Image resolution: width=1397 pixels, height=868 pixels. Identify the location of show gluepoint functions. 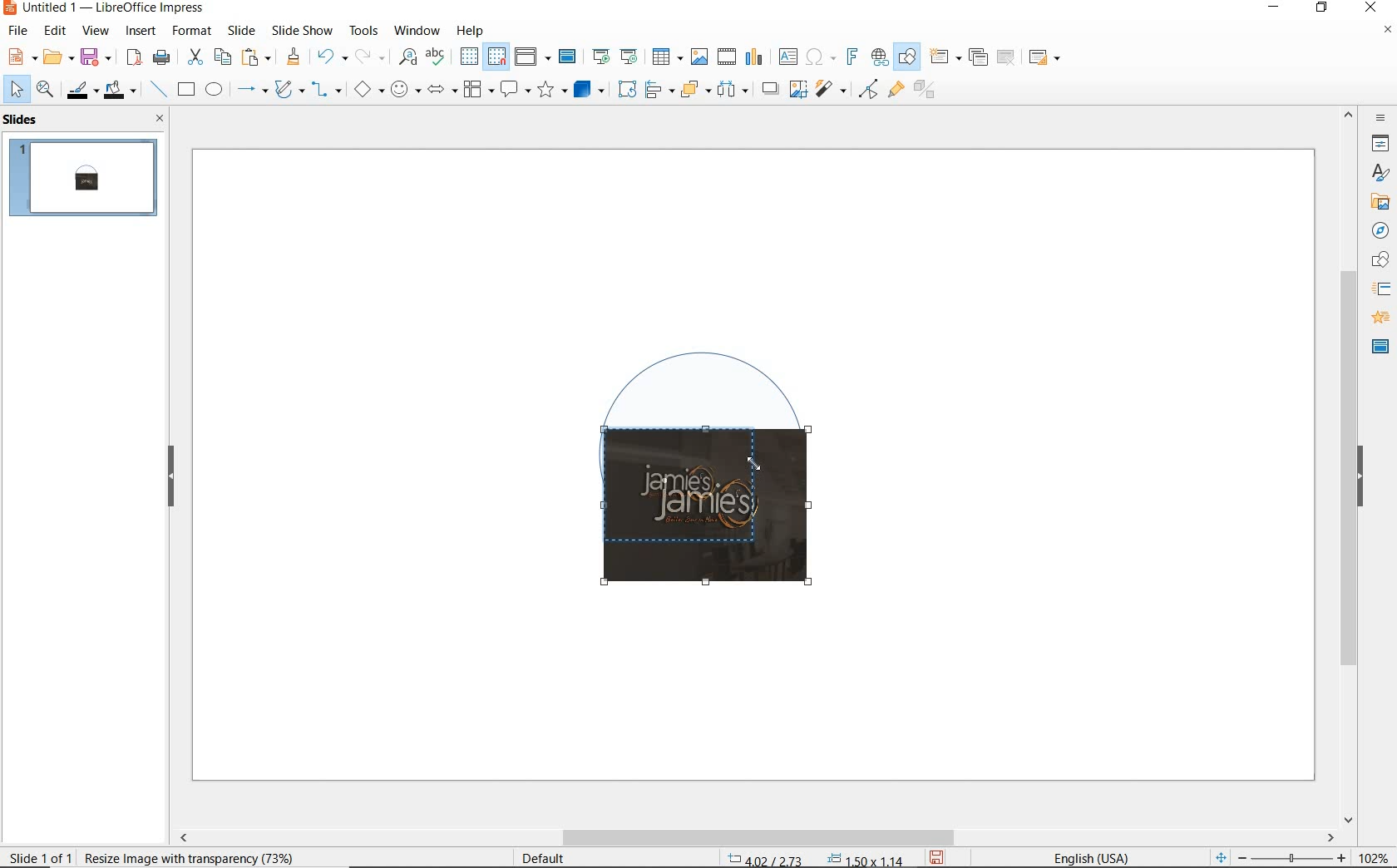
(892, 91).